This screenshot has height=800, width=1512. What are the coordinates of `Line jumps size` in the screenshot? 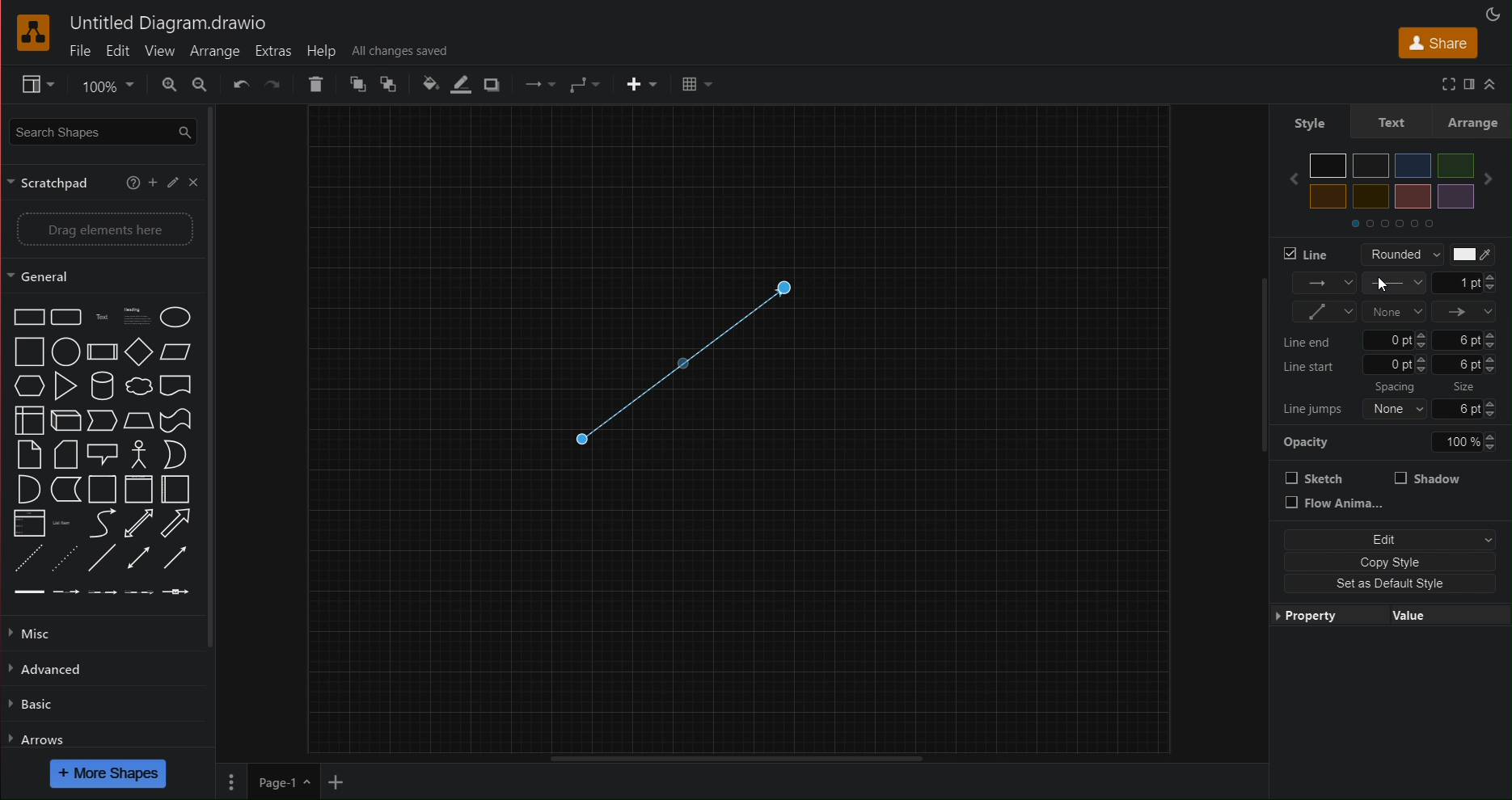 It's located at (1396, 407).